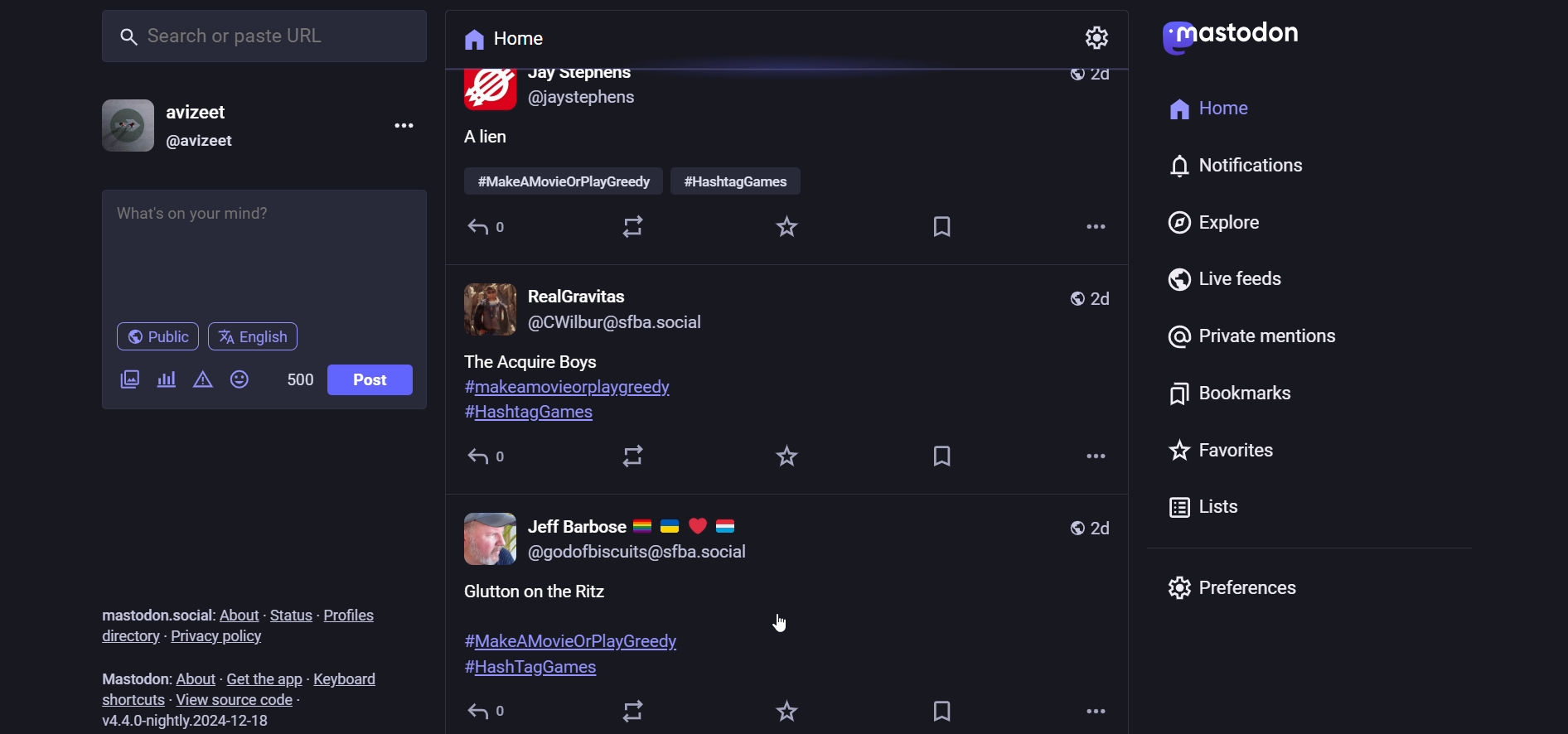 The width and height of the screenshot is (1568, 734). Describe the element at coordinates (1256, 333) in the screenshot. I see `private mention` at that location.